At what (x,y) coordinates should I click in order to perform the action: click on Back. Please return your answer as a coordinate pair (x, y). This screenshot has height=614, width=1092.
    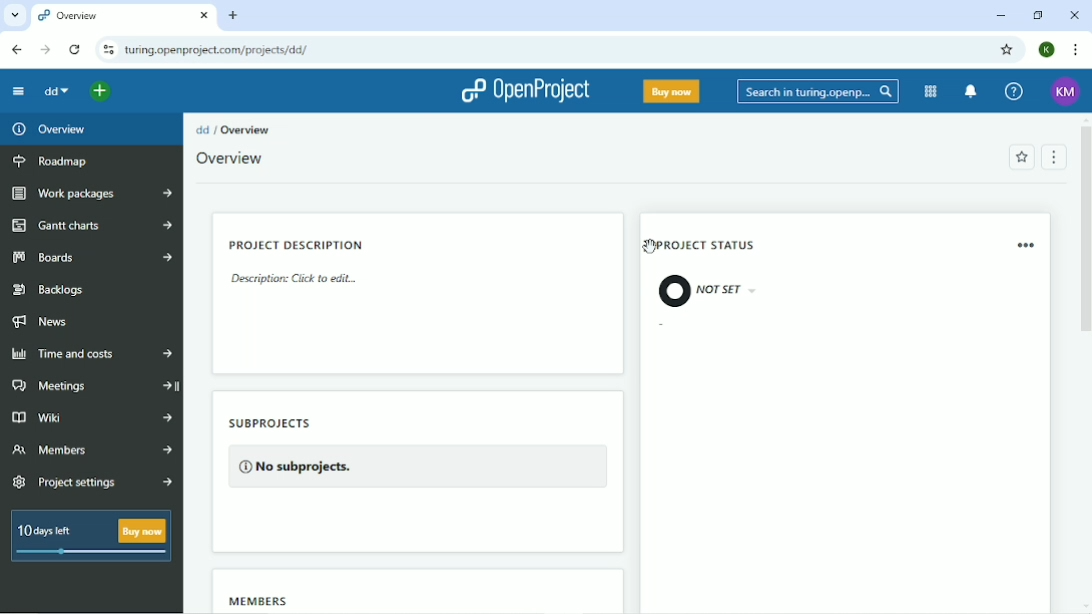
    Looking at the image, I should click on (17, 49).